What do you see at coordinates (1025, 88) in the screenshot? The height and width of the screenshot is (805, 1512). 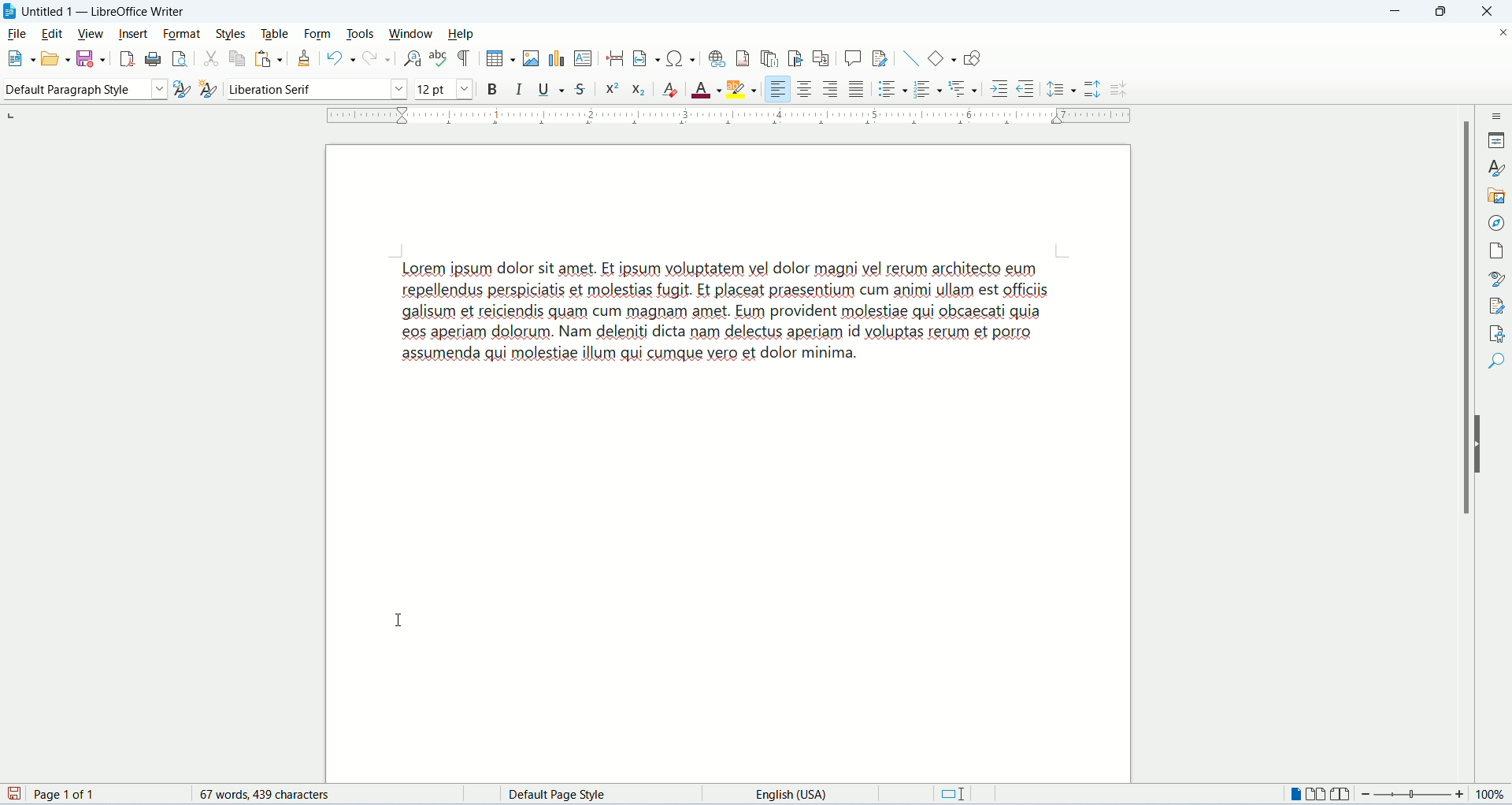 I see `decrease indent` at bounding box center [1025, 88].